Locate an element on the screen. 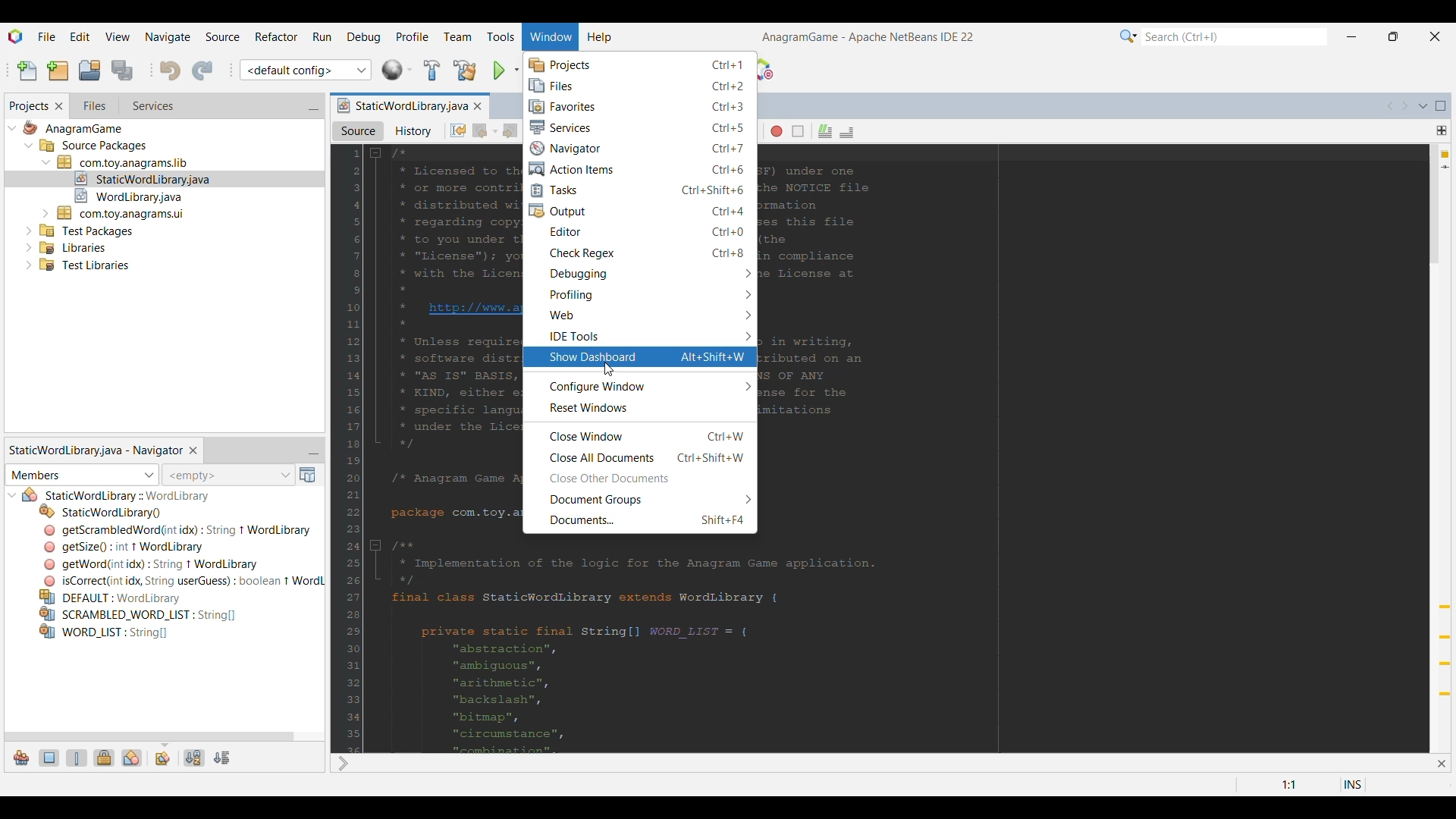 This screenshot has width=1456, height=819. Files is located at coordinates (638, 87).